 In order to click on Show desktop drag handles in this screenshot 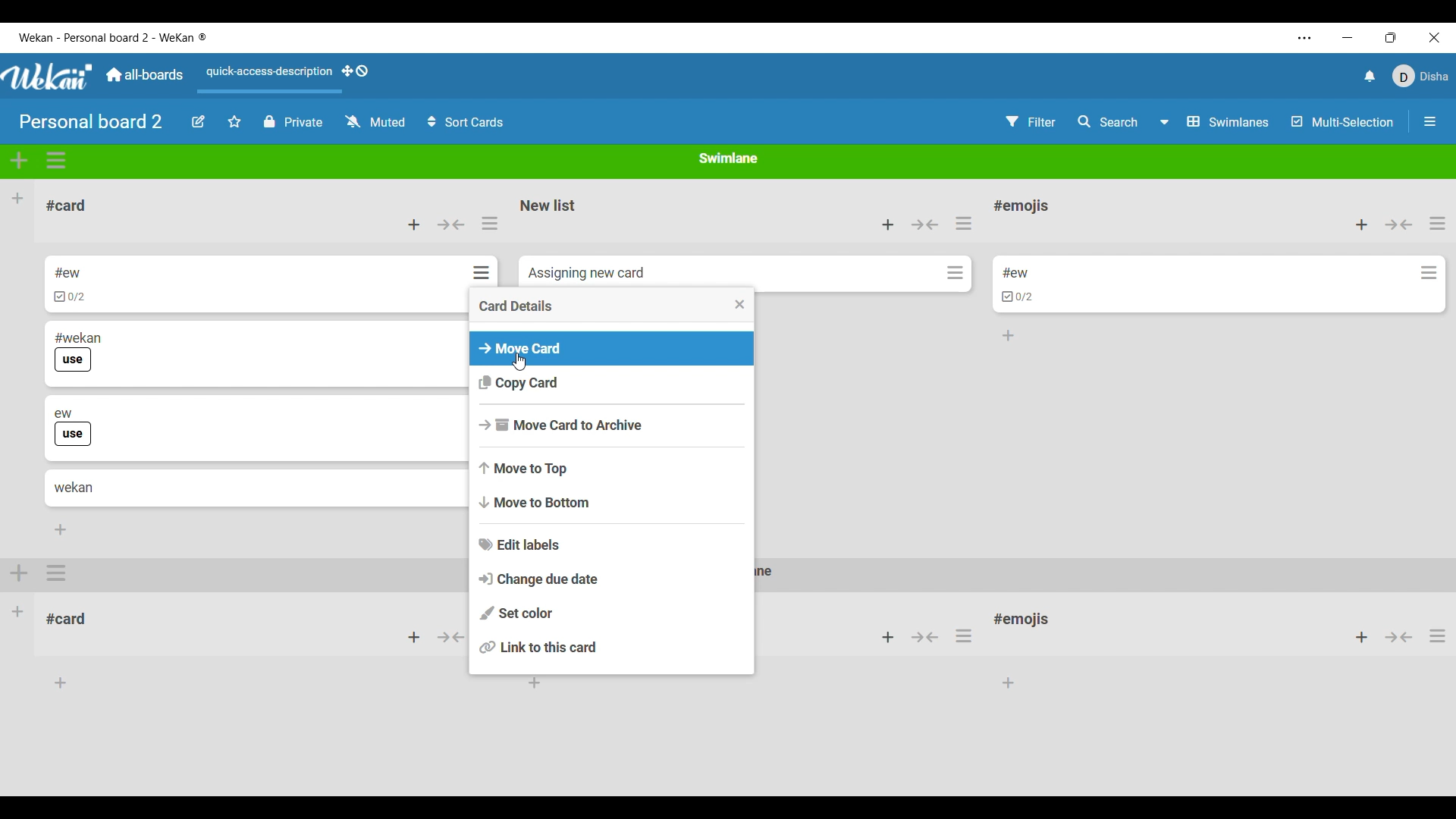, I will do `click(355, 71)`.